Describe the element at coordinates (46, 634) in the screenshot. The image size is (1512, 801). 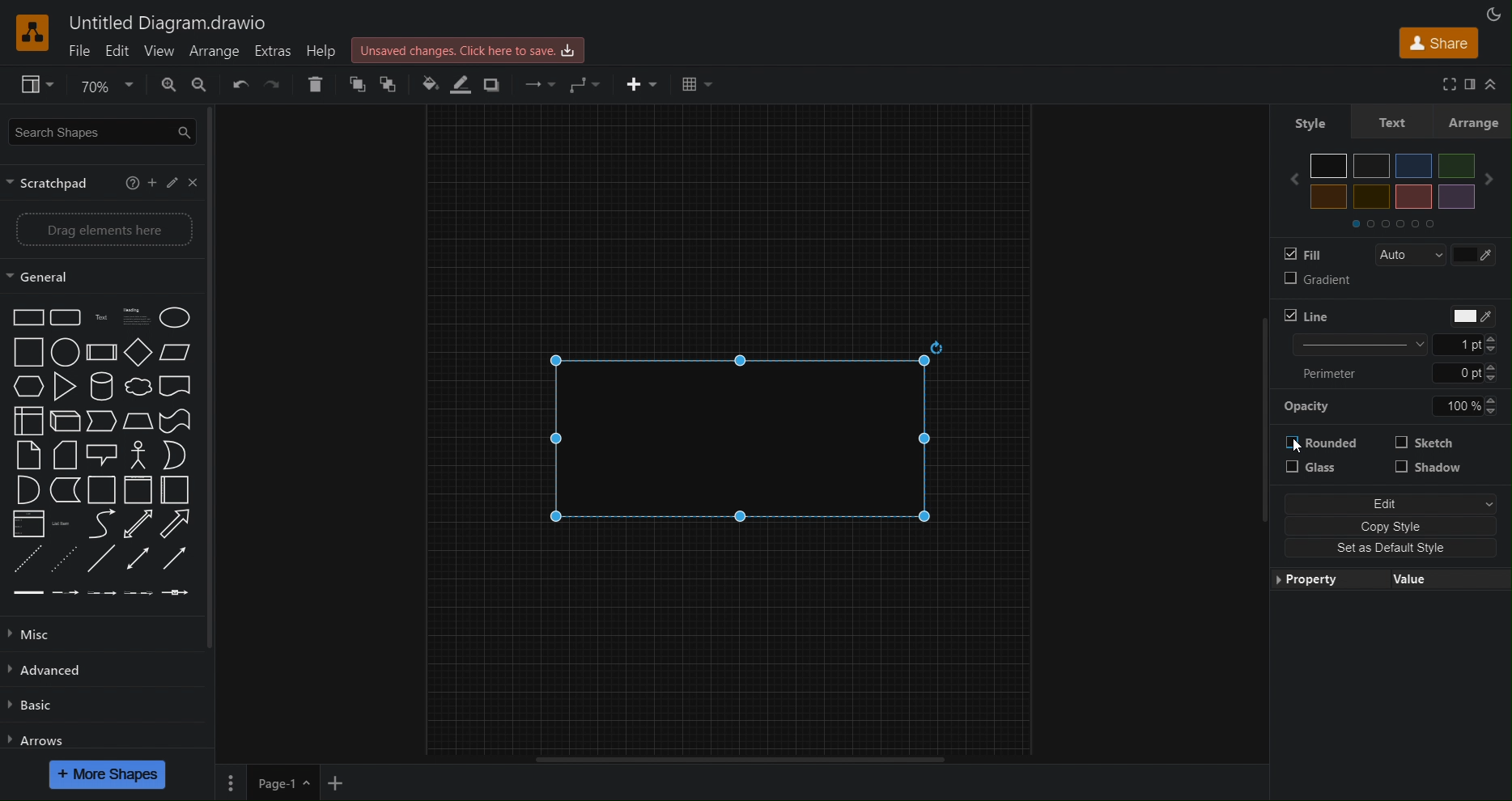
I see `Misc` at that location.